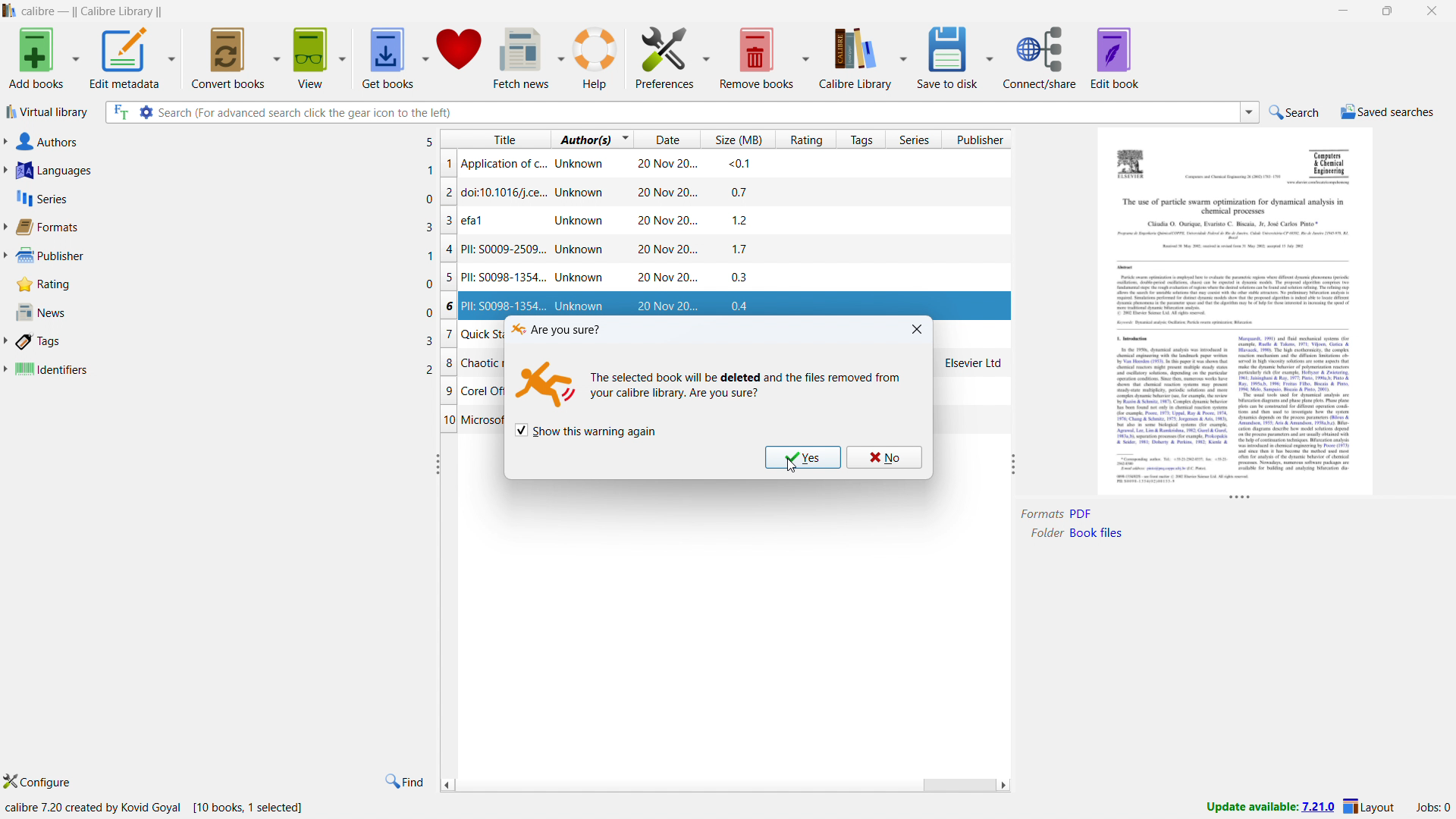 The image size is (1456, 819). I want to click on efa1, so click(731, 222).